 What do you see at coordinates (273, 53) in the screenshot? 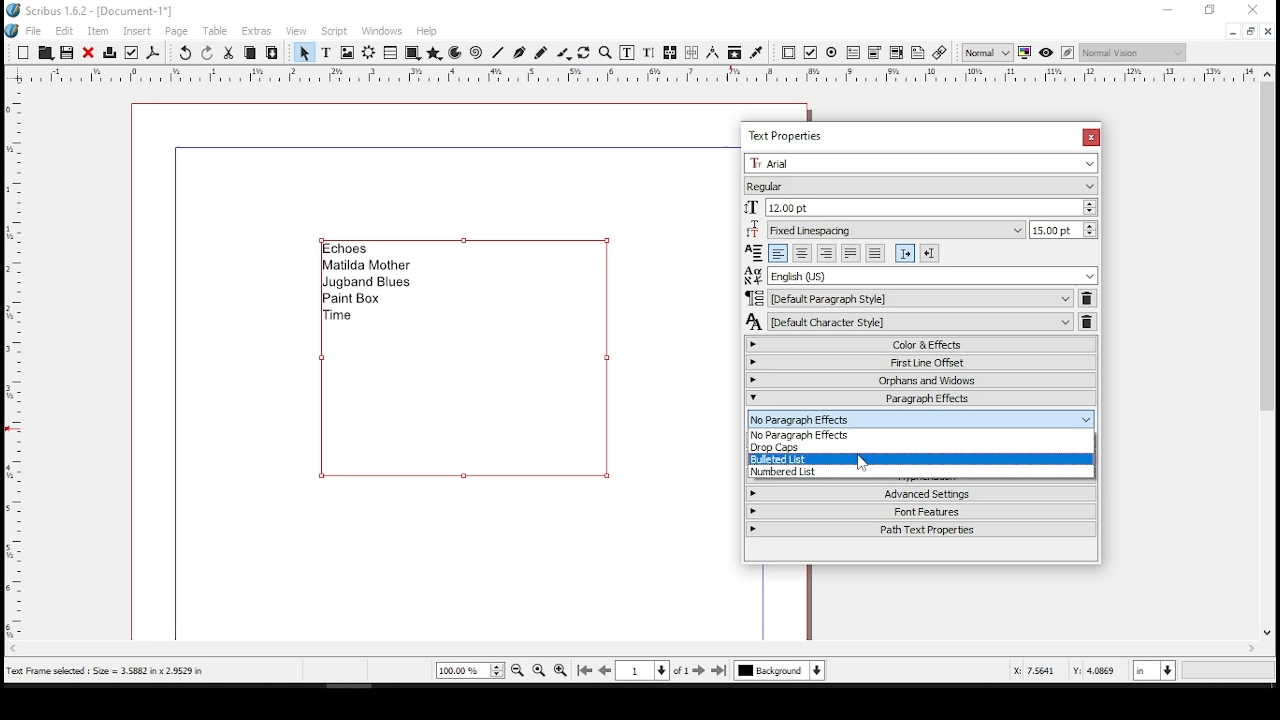
I see `paste` at bounding box center [273, 53].